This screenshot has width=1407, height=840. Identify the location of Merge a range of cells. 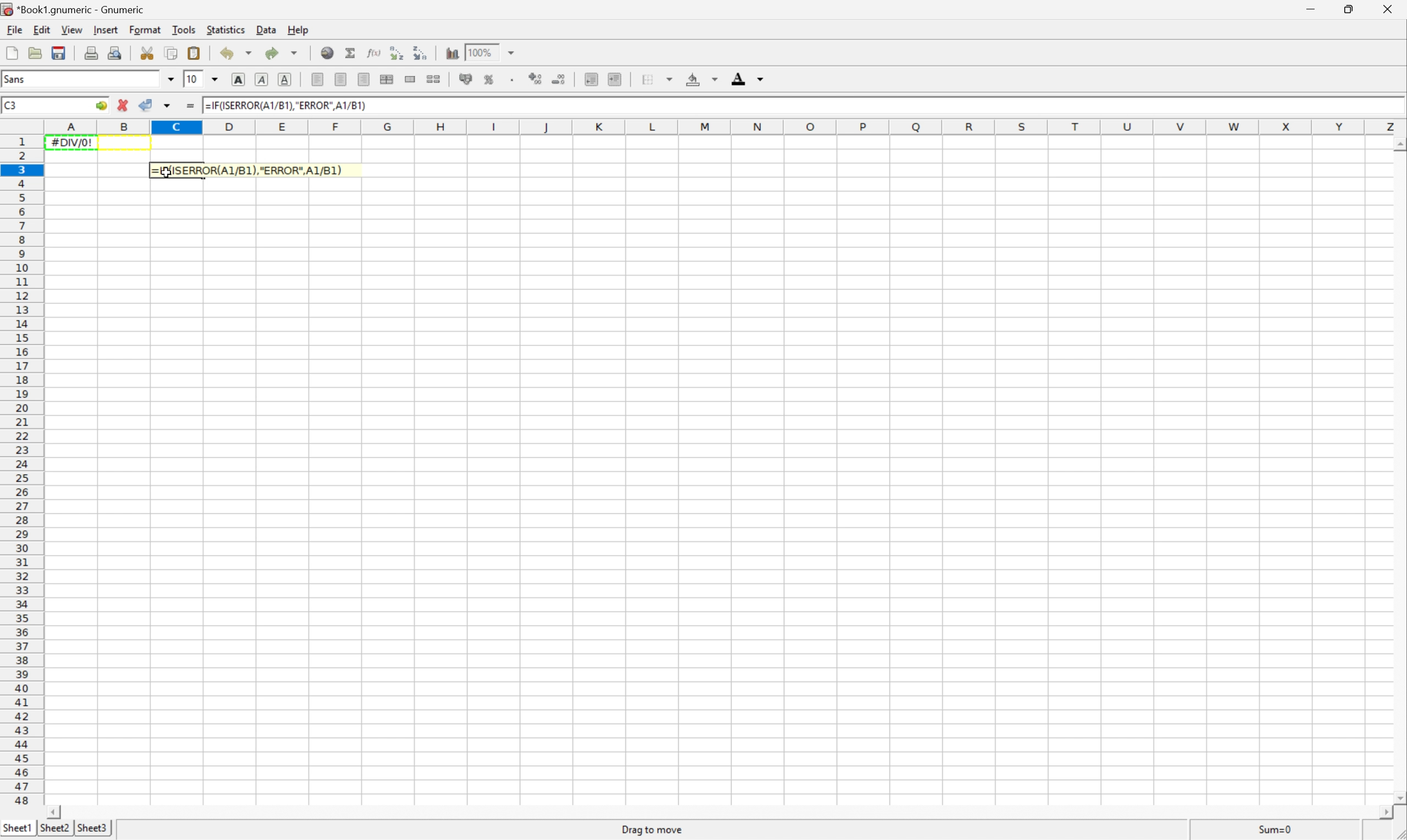
(412, 79).